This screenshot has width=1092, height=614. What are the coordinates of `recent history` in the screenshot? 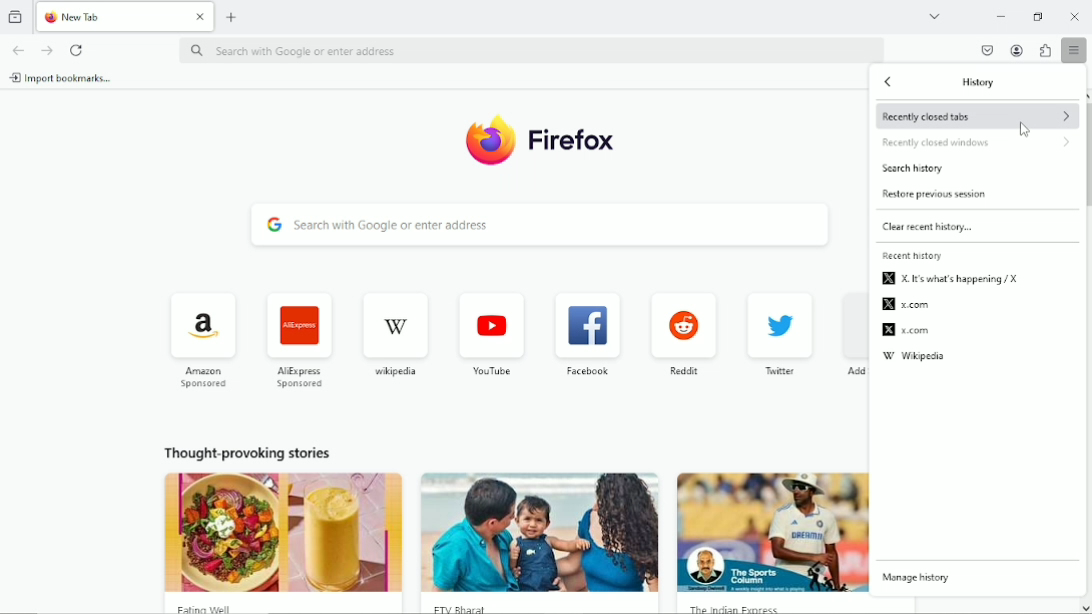 It's located at (913, 256).